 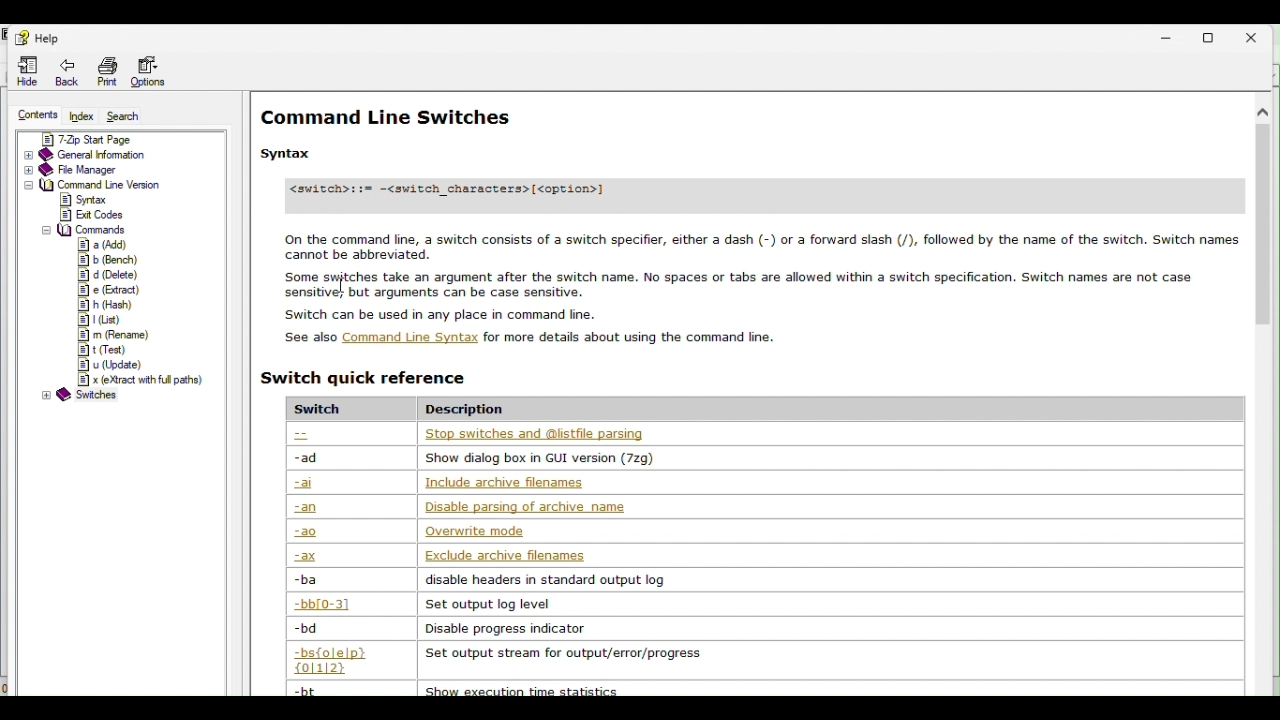 What do you see at coordinates (307, 433) in the screenshot?
I see `--` at bounding box center [307, 433].